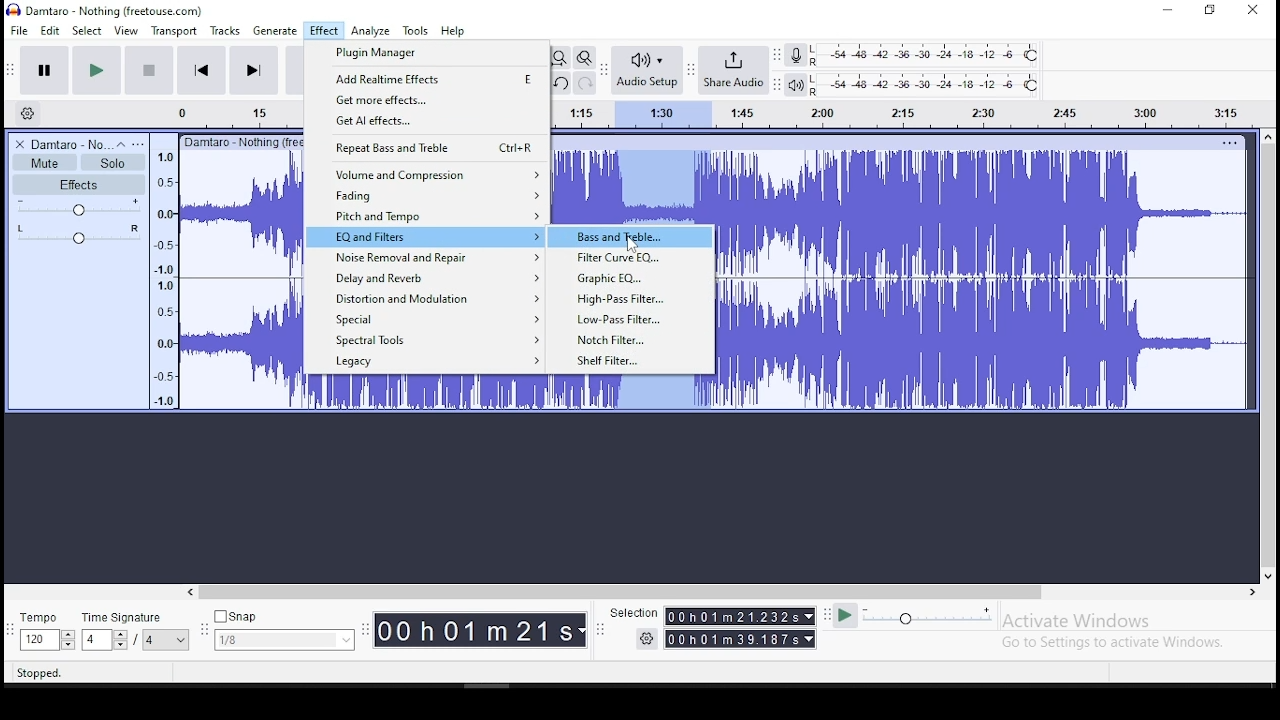 Image resolution: width=1280 pixels, height=720 pixels. What do you see at coordinates (165, 279) in the screenshot?
I see `` at bounding box center [165, 279].